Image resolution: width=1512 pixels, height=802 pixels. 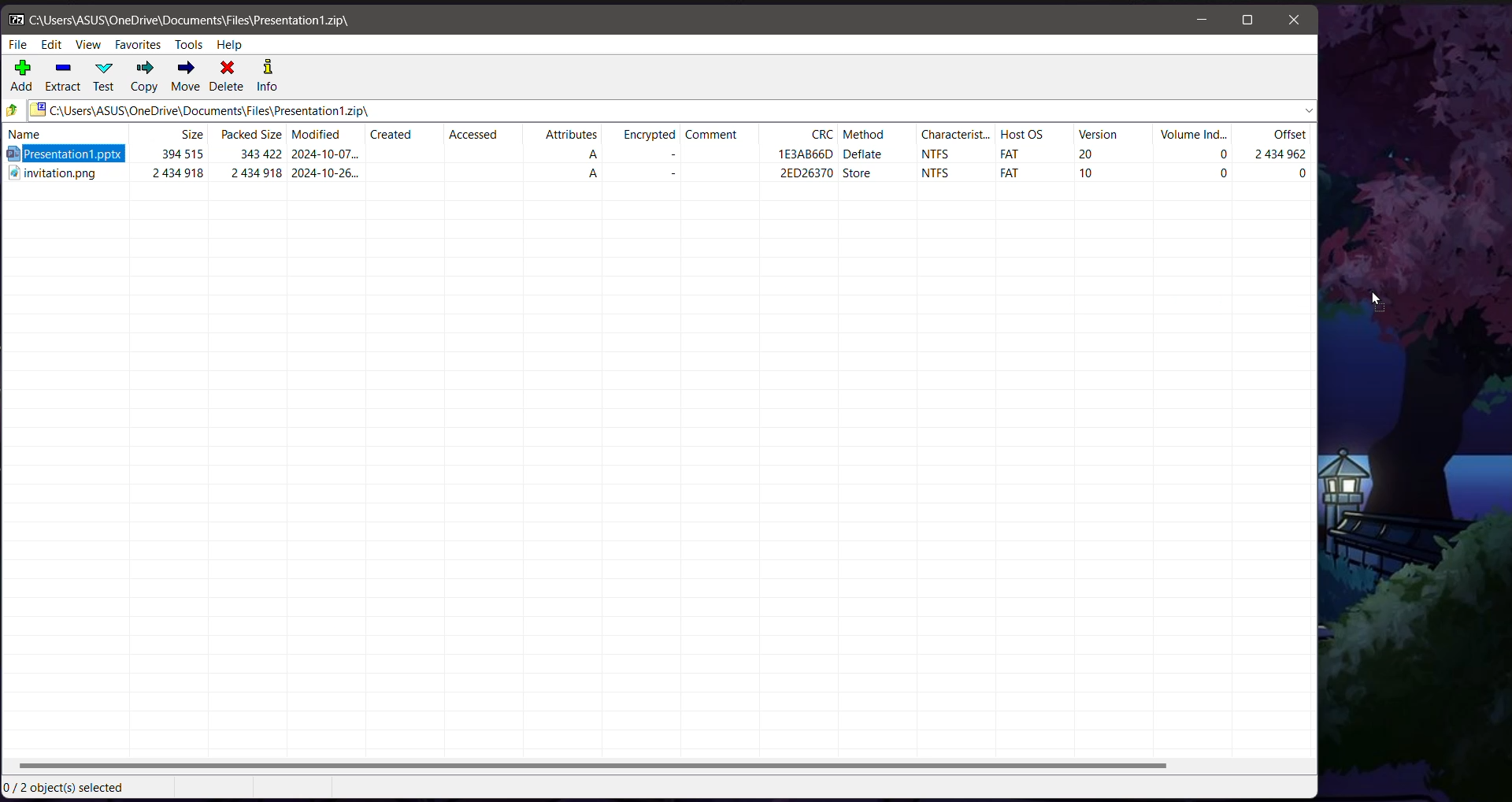 I want to click on  24545902, so click(x=1284, y=155).